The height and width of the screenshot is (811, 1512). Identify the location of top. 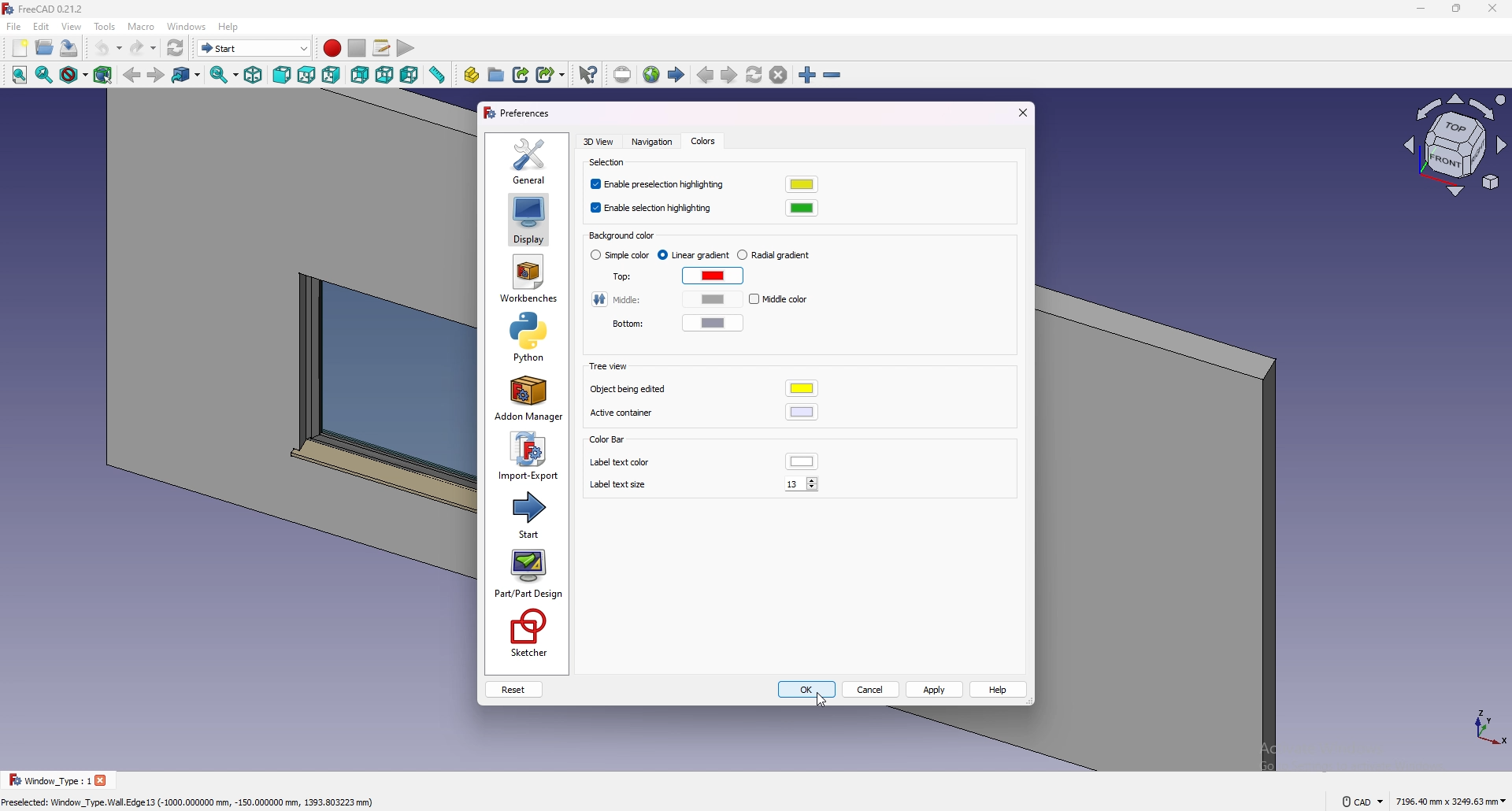
(306, 76).